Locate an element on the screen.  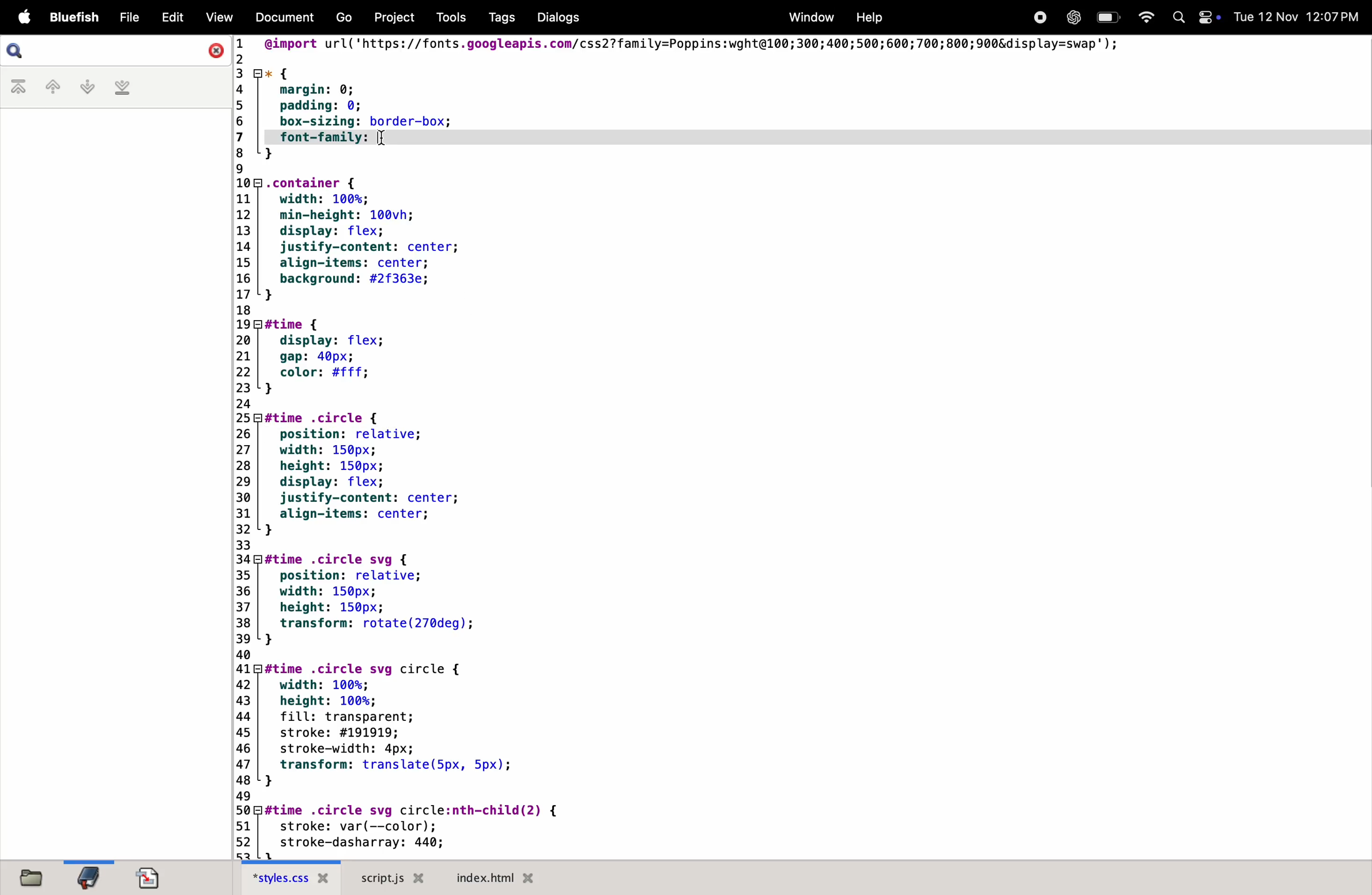
open bookmark is located at coordinates (89, 877).